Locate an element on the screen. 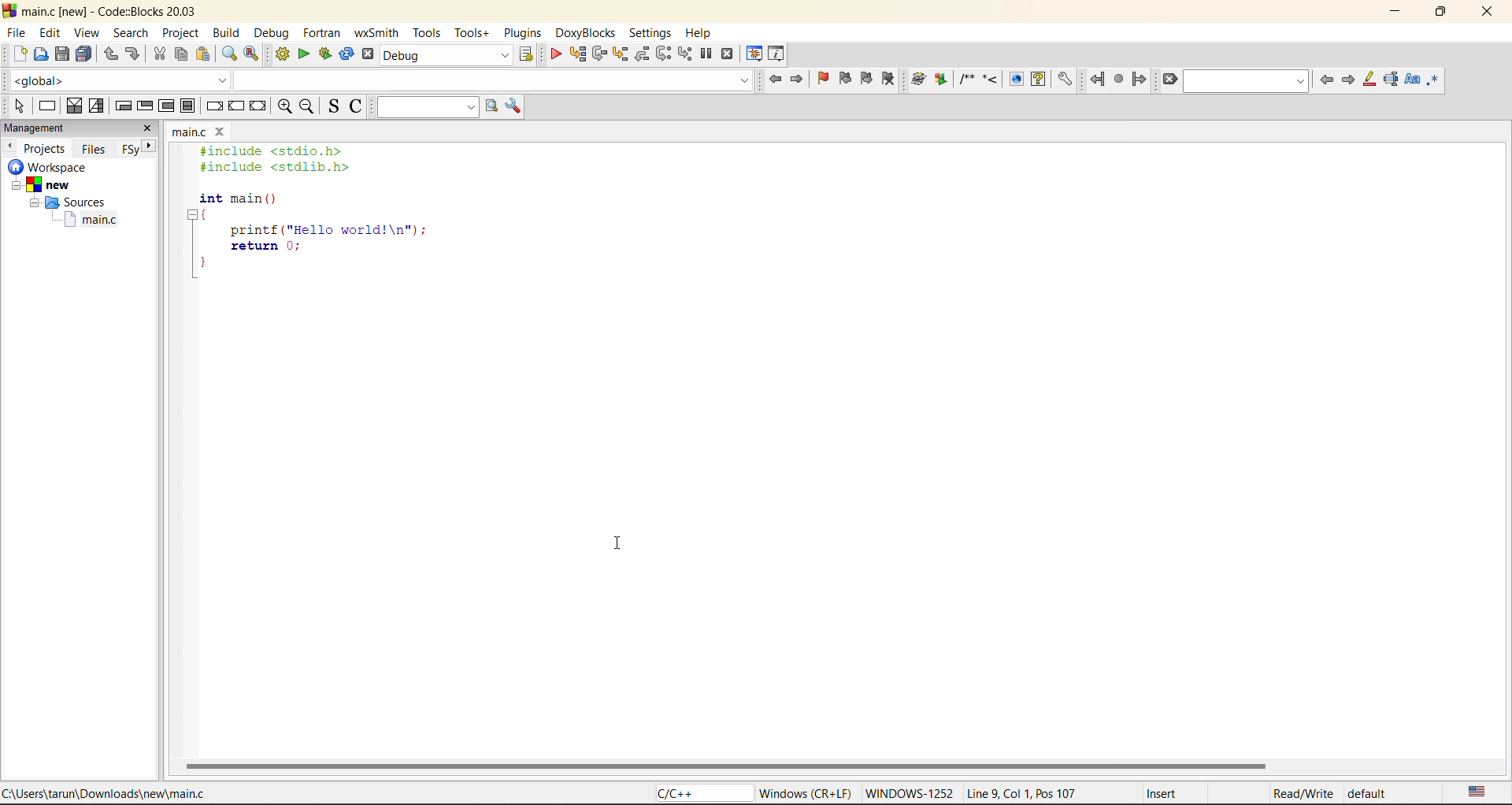  plugins is located at coordinates (524, 33).